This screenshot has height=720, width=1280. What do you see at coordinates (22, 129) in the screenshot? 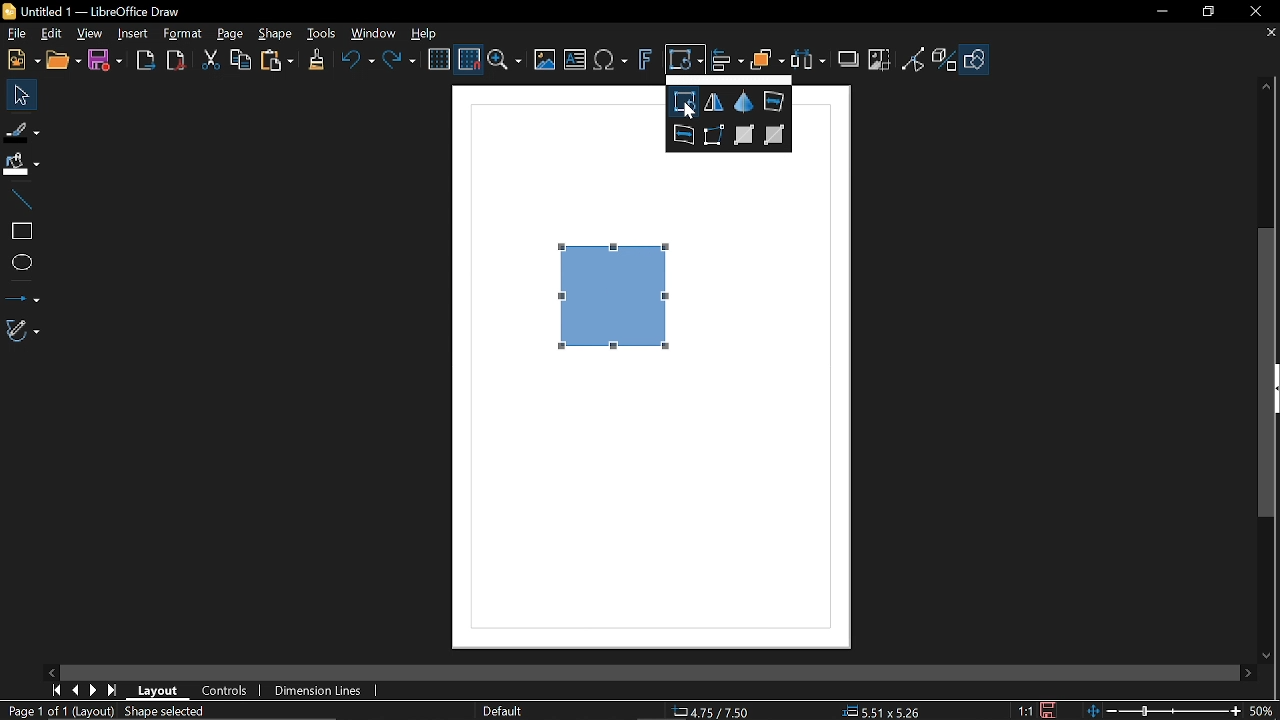
I see `Fill line` at bounding box center [22, 129].